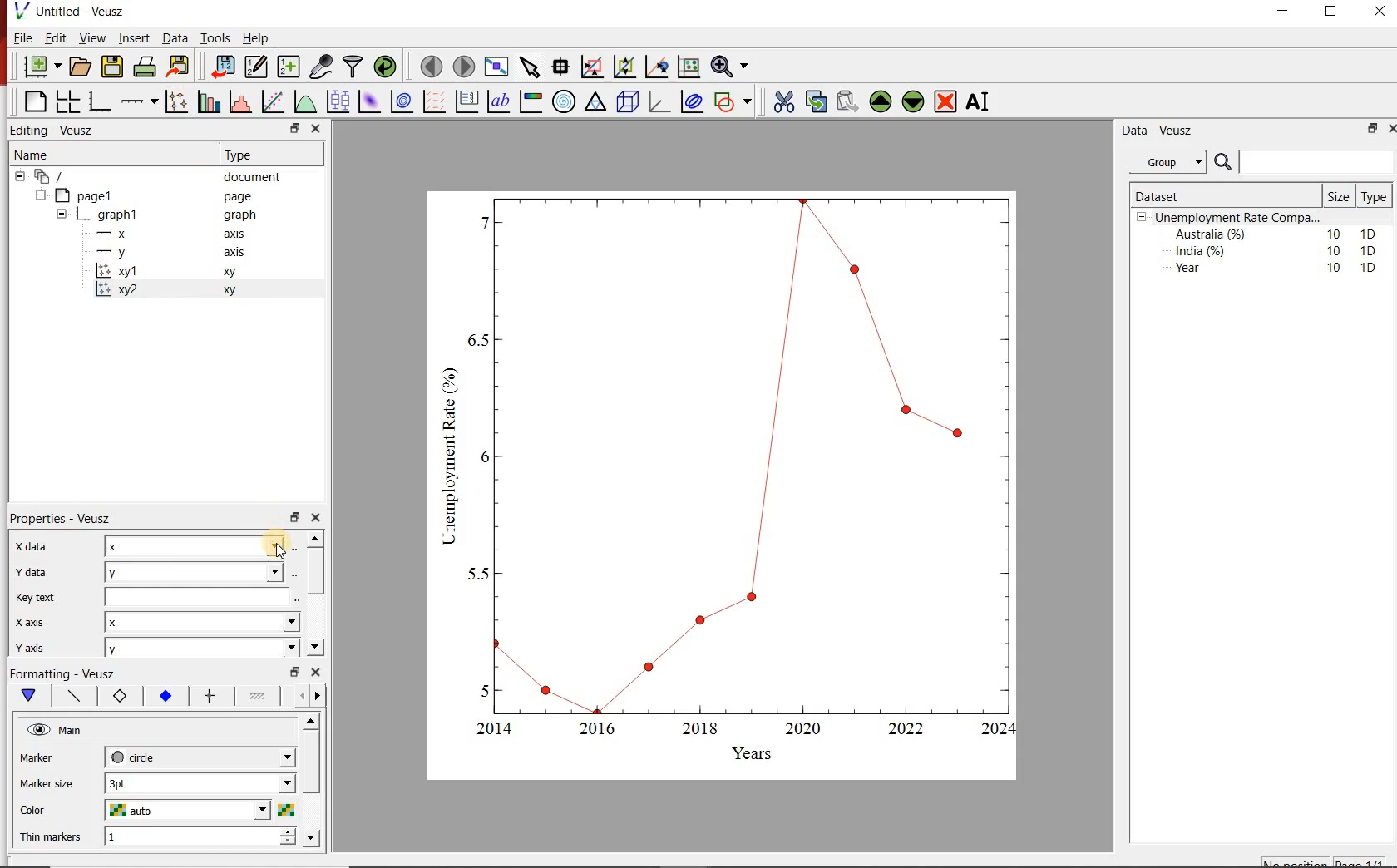 This screenshot has height=868, width=1397. I want to click on plot line, so click(76, 697).